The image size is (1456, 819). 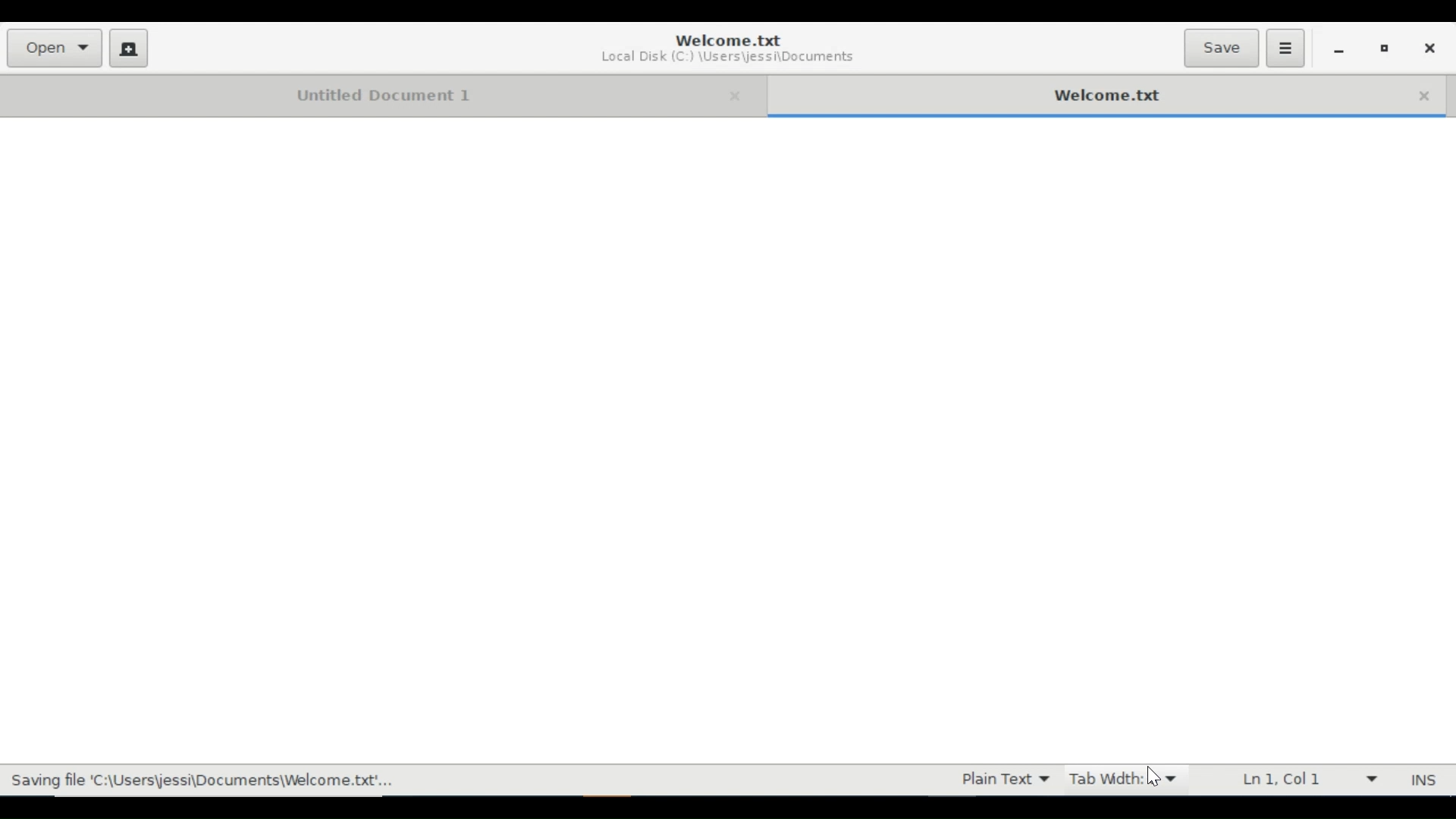 I want to click on Local Disk (C:)\Users\jessi\Document, so click(x=732, y=58).